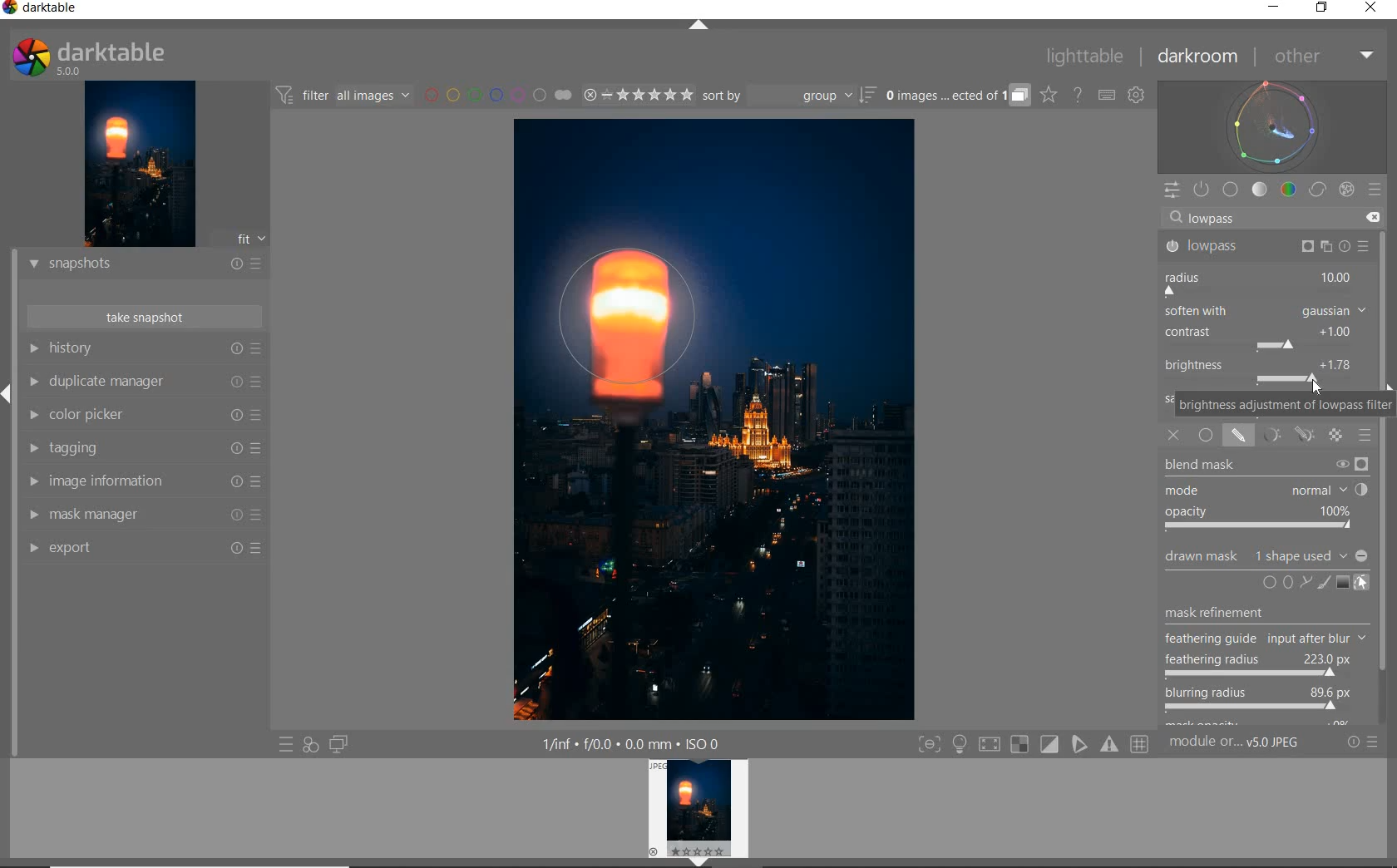 This screenshot has width=1397, height=868. What do you see at coordinates (1362, 584) in the screenshot?
I see `SHOW & EDIT MASK ELEMENTS` at bounding box center [1362, 584].